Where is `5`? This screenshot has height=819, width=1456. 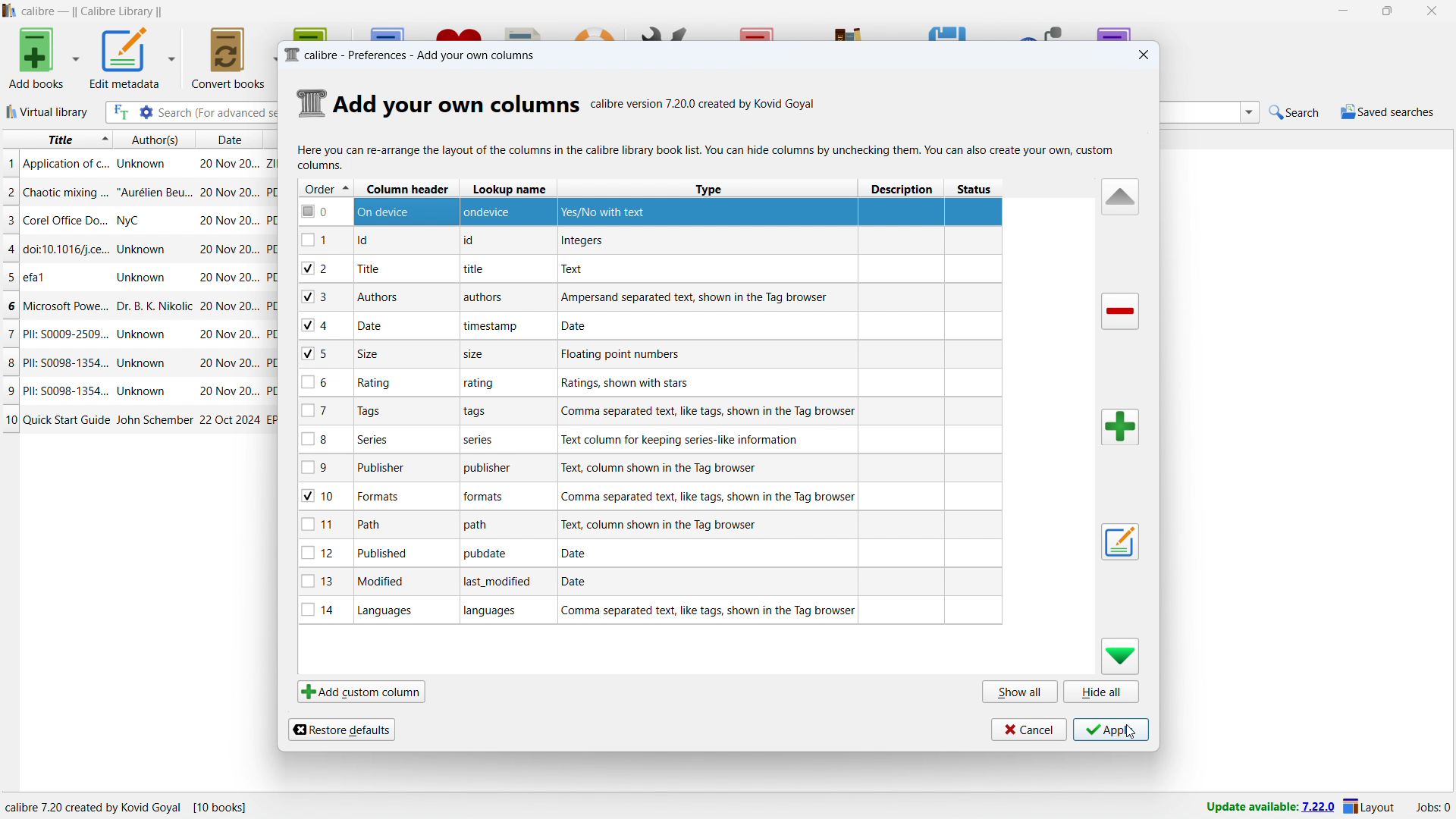 5 is located at coordinates (322, 354).